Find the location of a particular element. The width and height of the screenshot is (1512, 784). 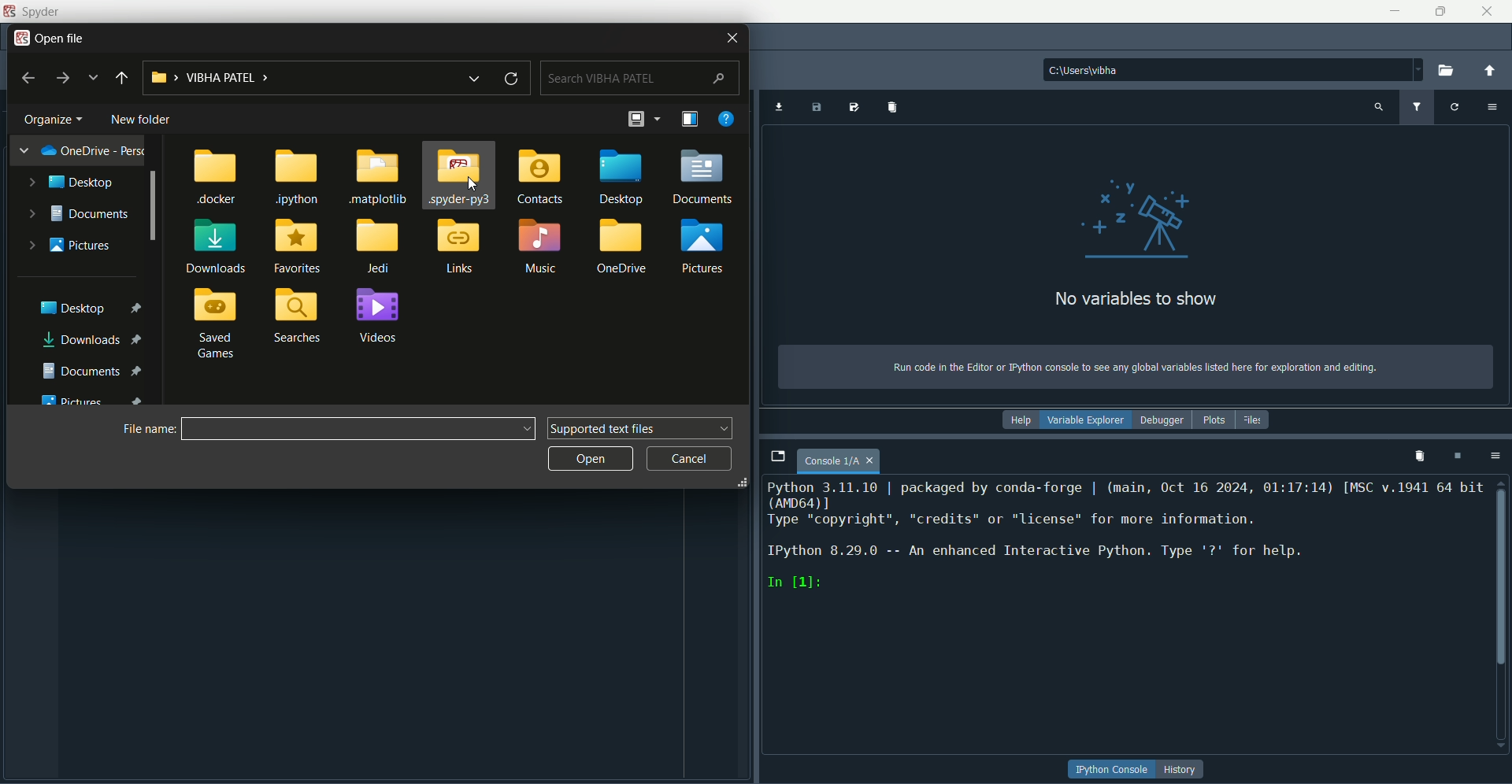

cancel is located at coordinates (691, 459).